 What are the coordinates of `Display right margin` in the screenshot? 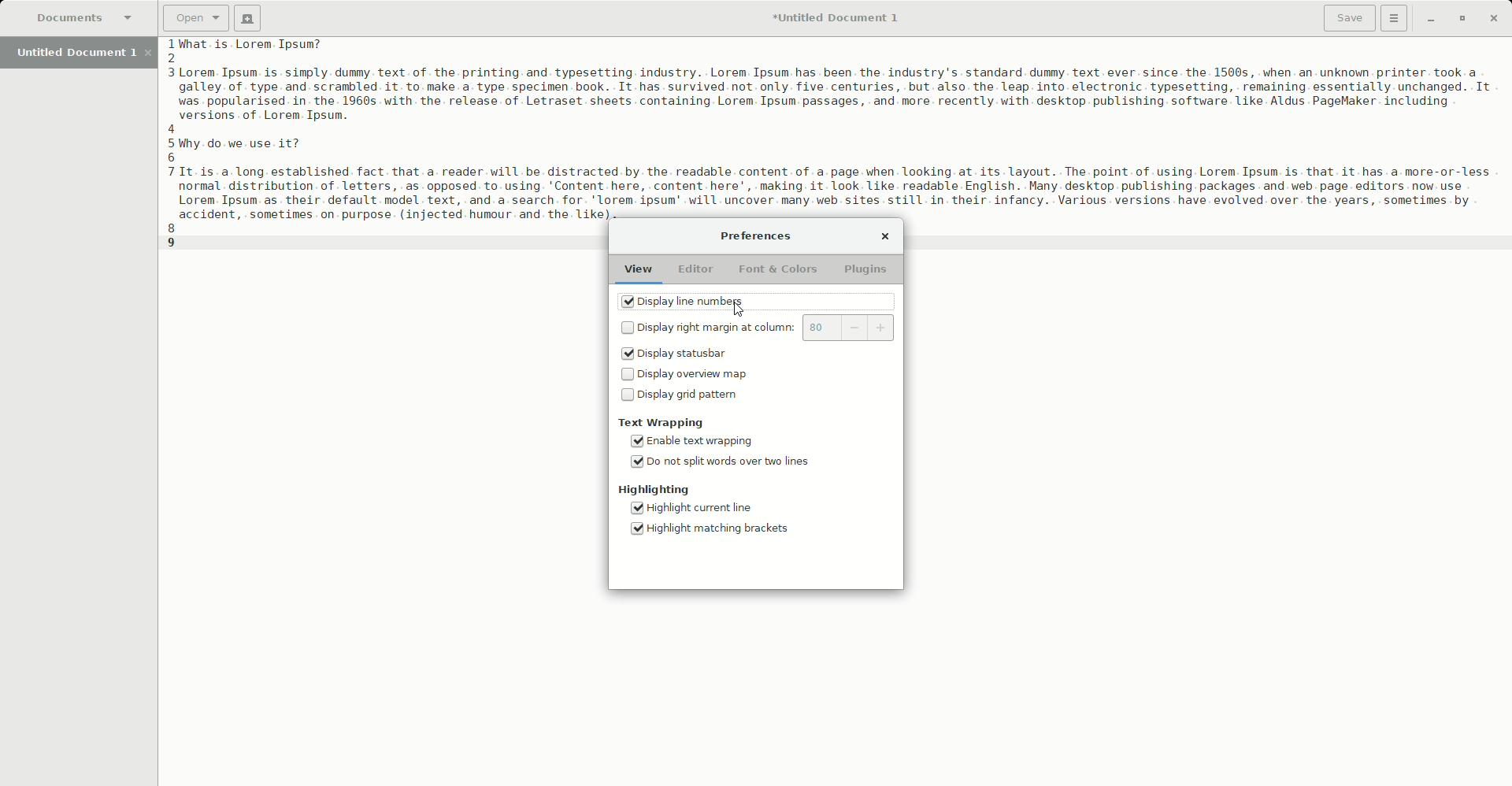 It's located at (706, 328).